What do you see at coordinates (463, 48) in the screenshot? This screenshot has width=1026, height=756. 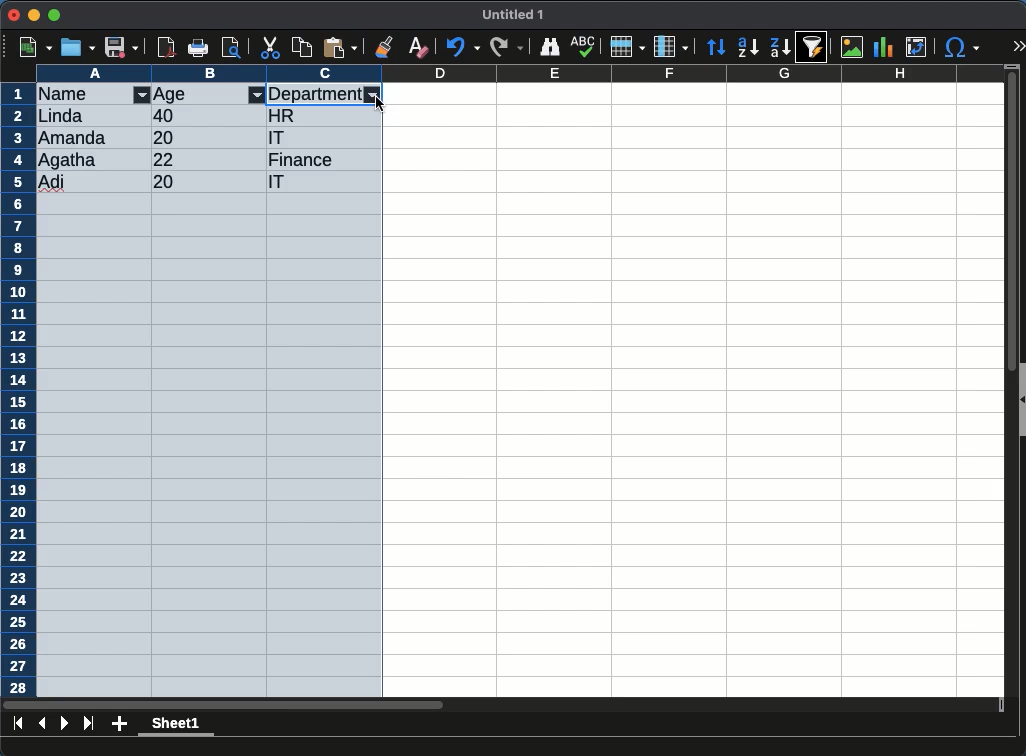 I see `undo` at bounding box center [463, 48].